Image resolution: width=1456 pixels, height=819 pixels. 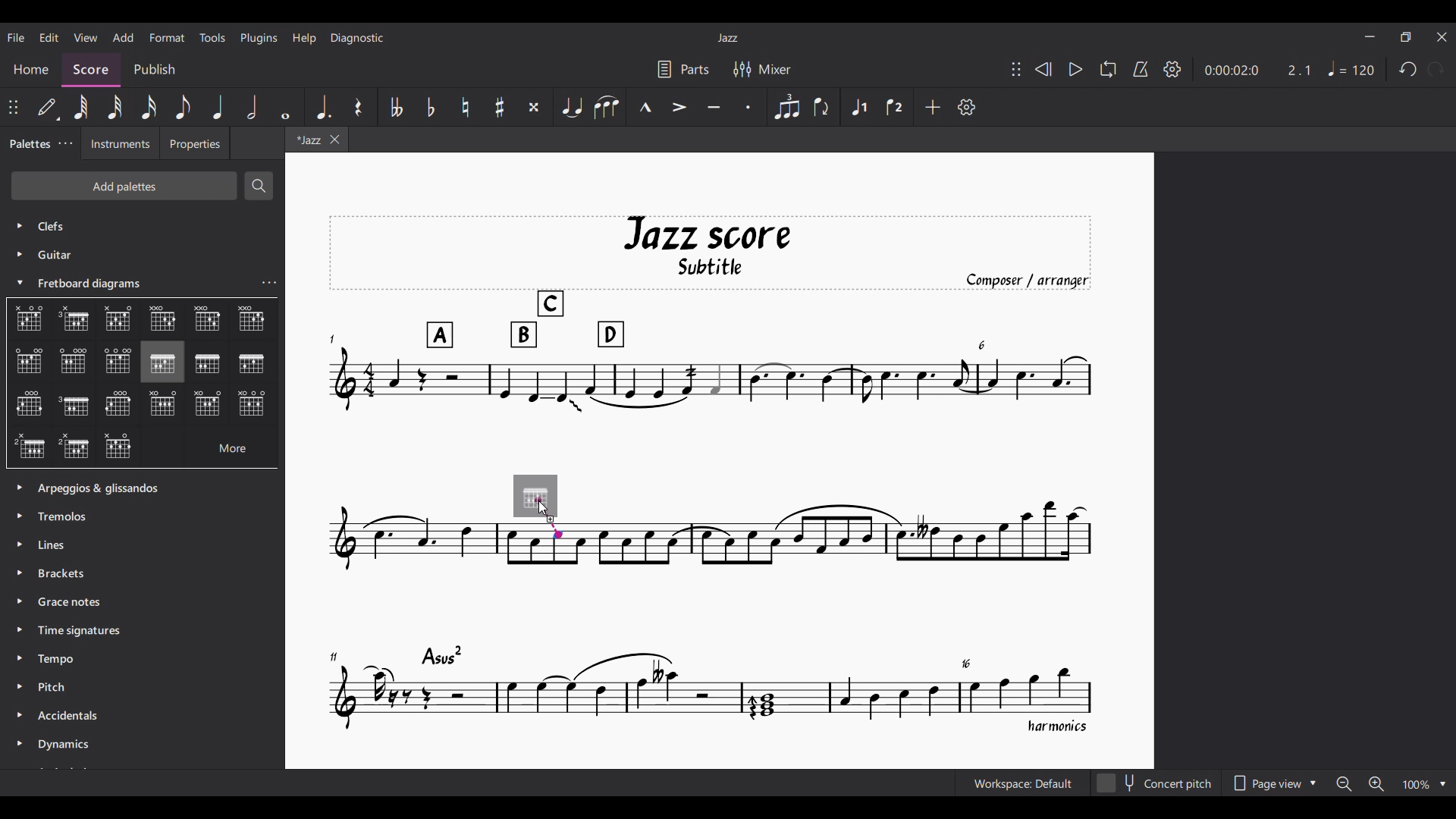 I want to click on Marcato, so click(x=644, y=106).